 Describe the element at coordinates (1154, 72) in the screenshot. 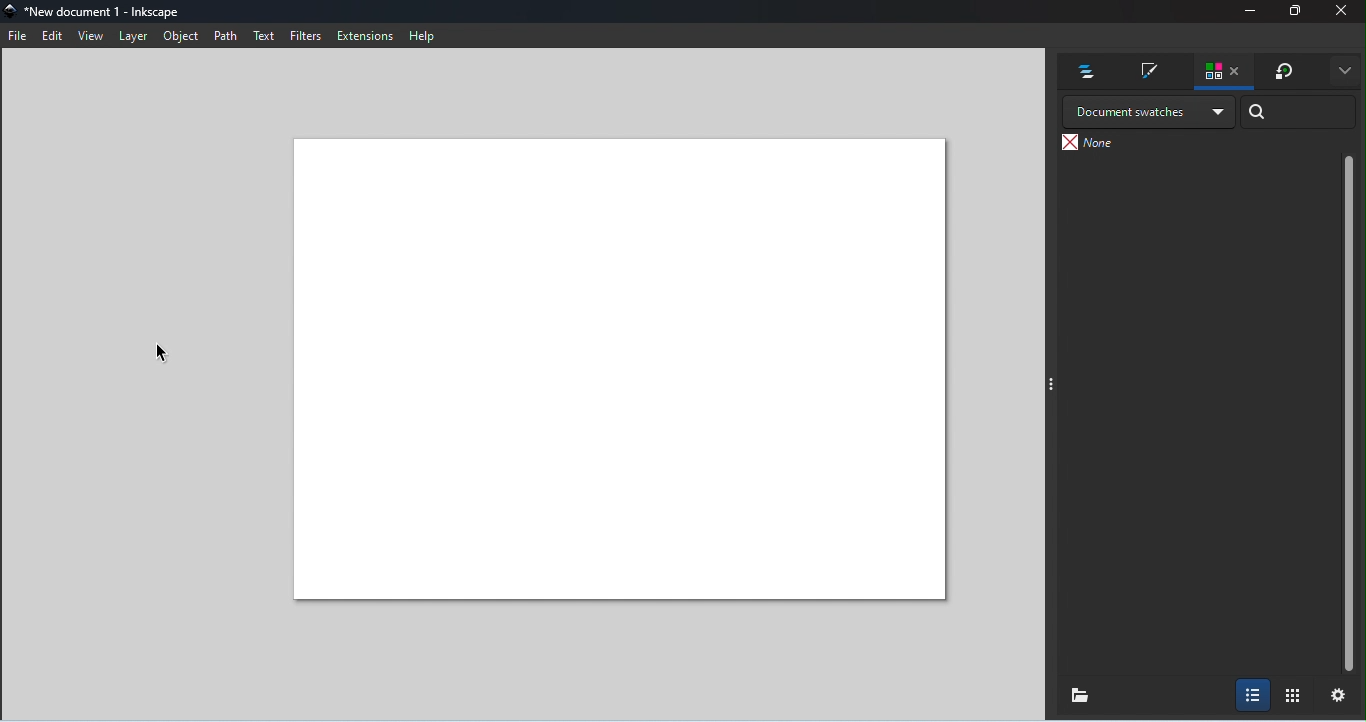

I see `Fill and stroke` at that location.